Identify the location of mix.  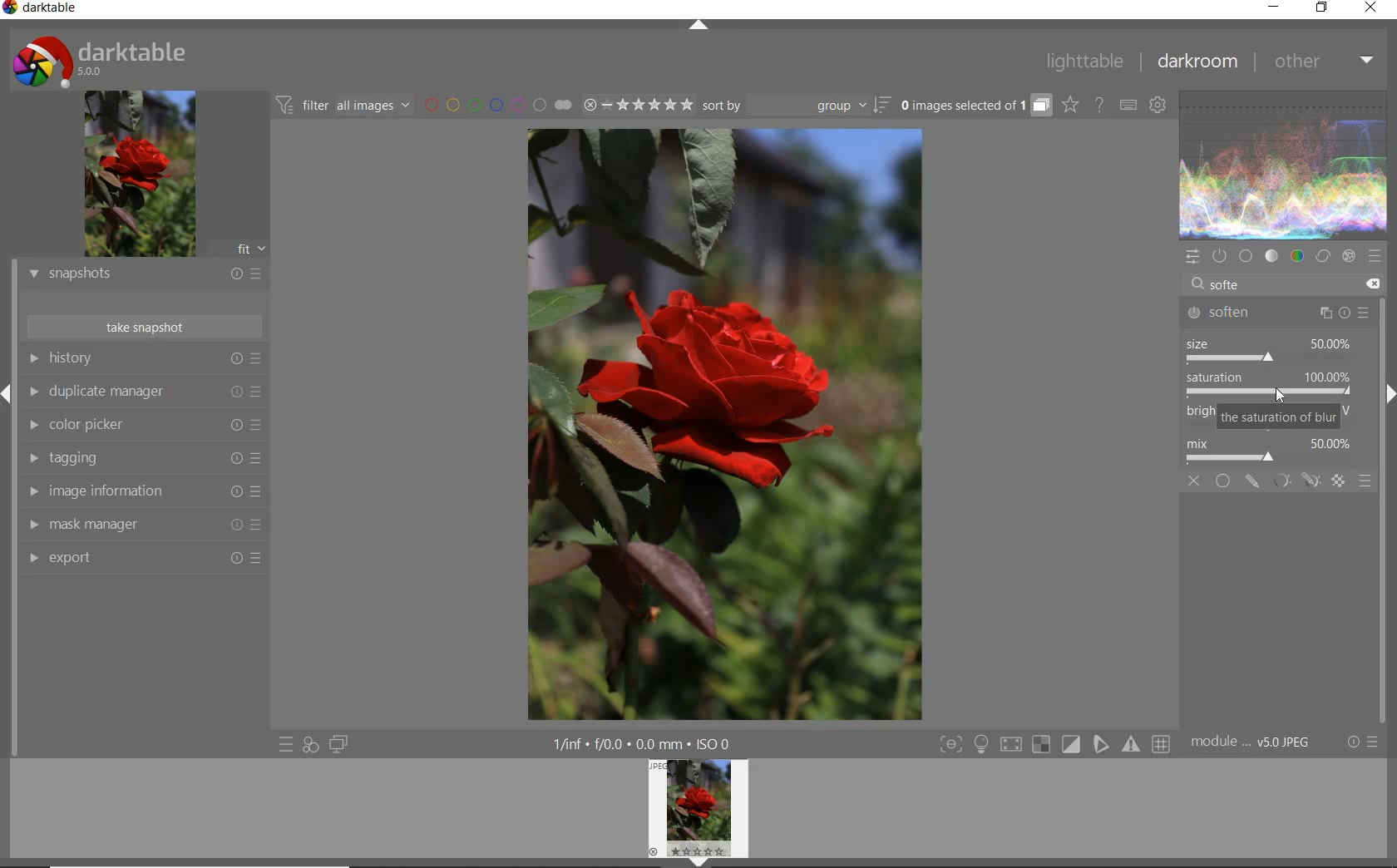
(1273, 451).